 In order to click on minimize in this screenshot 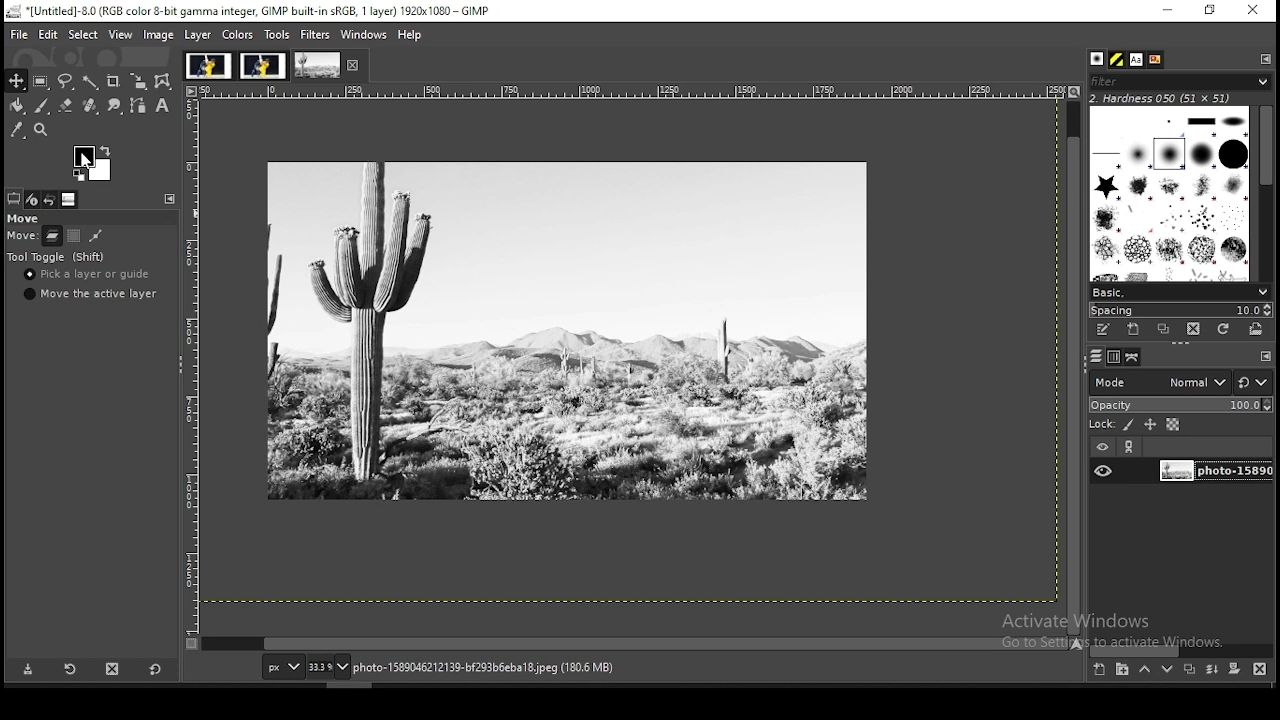, I will do `click(1168, 11)`.